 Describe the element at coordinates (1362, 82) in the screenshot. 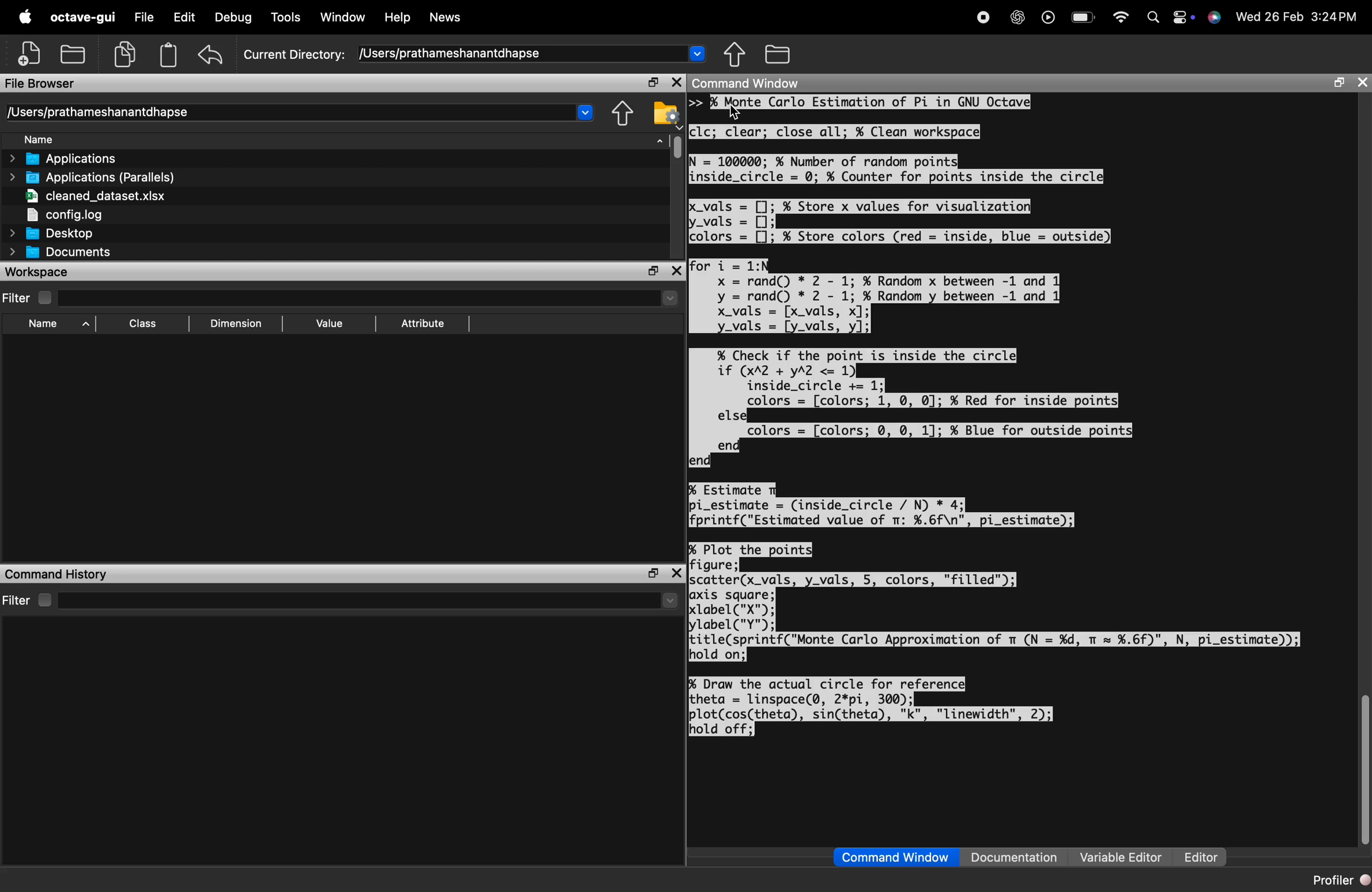

I see `Close` at that location.